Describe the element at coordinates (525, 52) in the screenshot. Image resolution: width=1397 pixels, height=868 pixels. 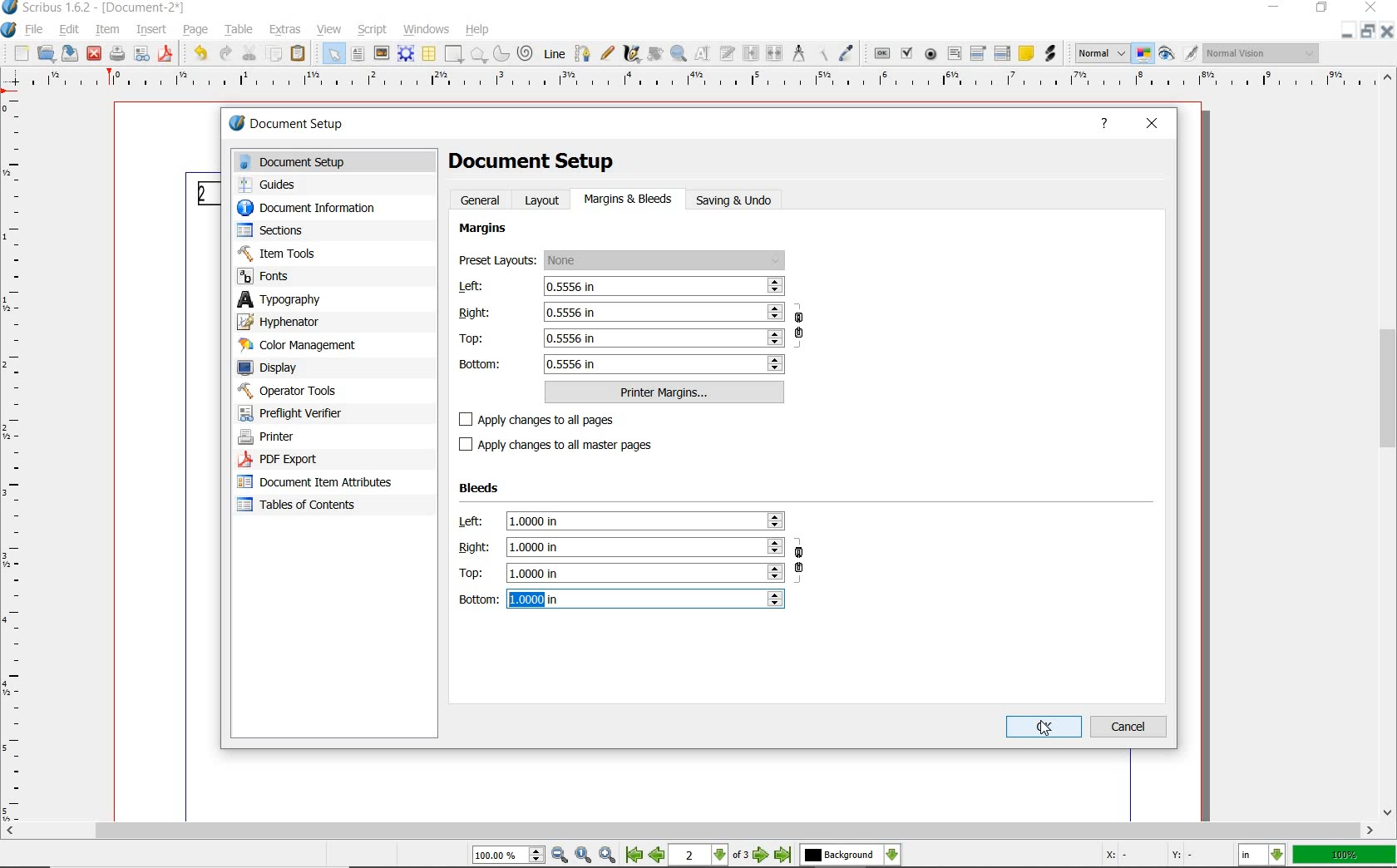
I see `spiral` at that location.